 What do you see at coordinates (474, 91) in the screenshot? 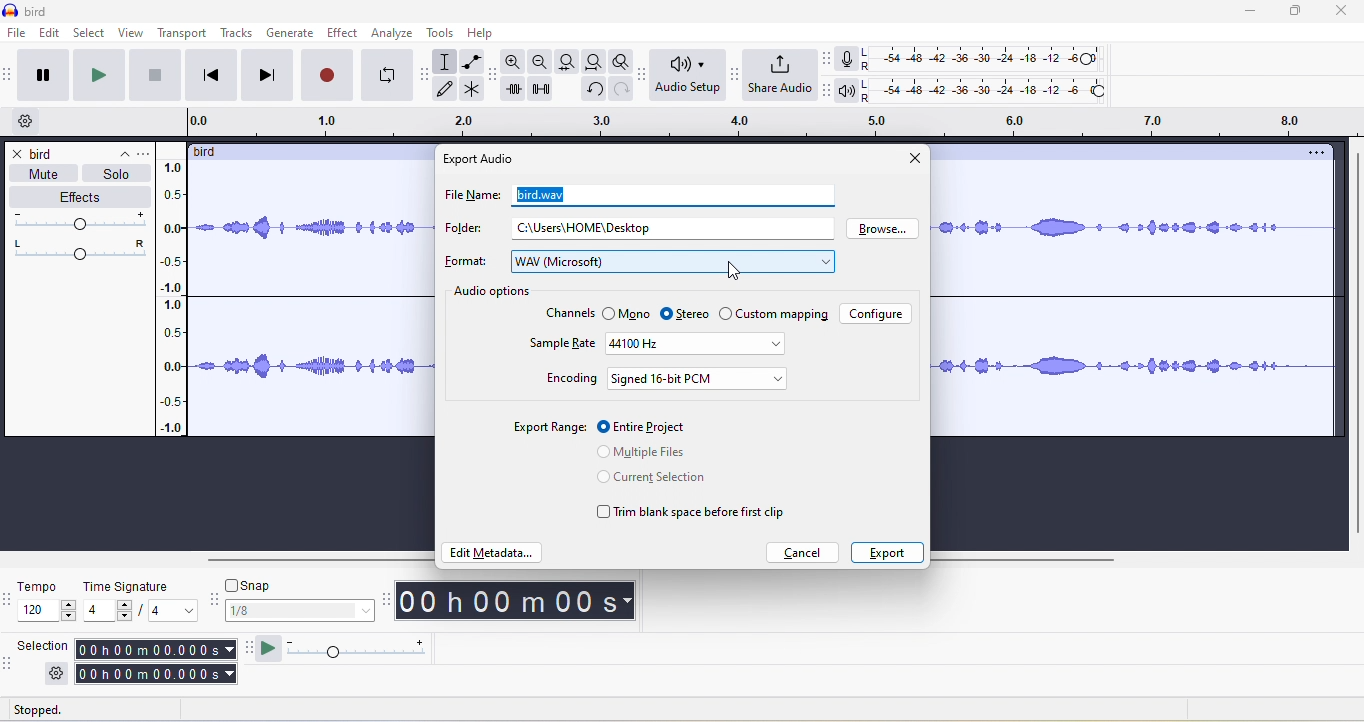
I see `multi tool` at bounding box center [474, 91].